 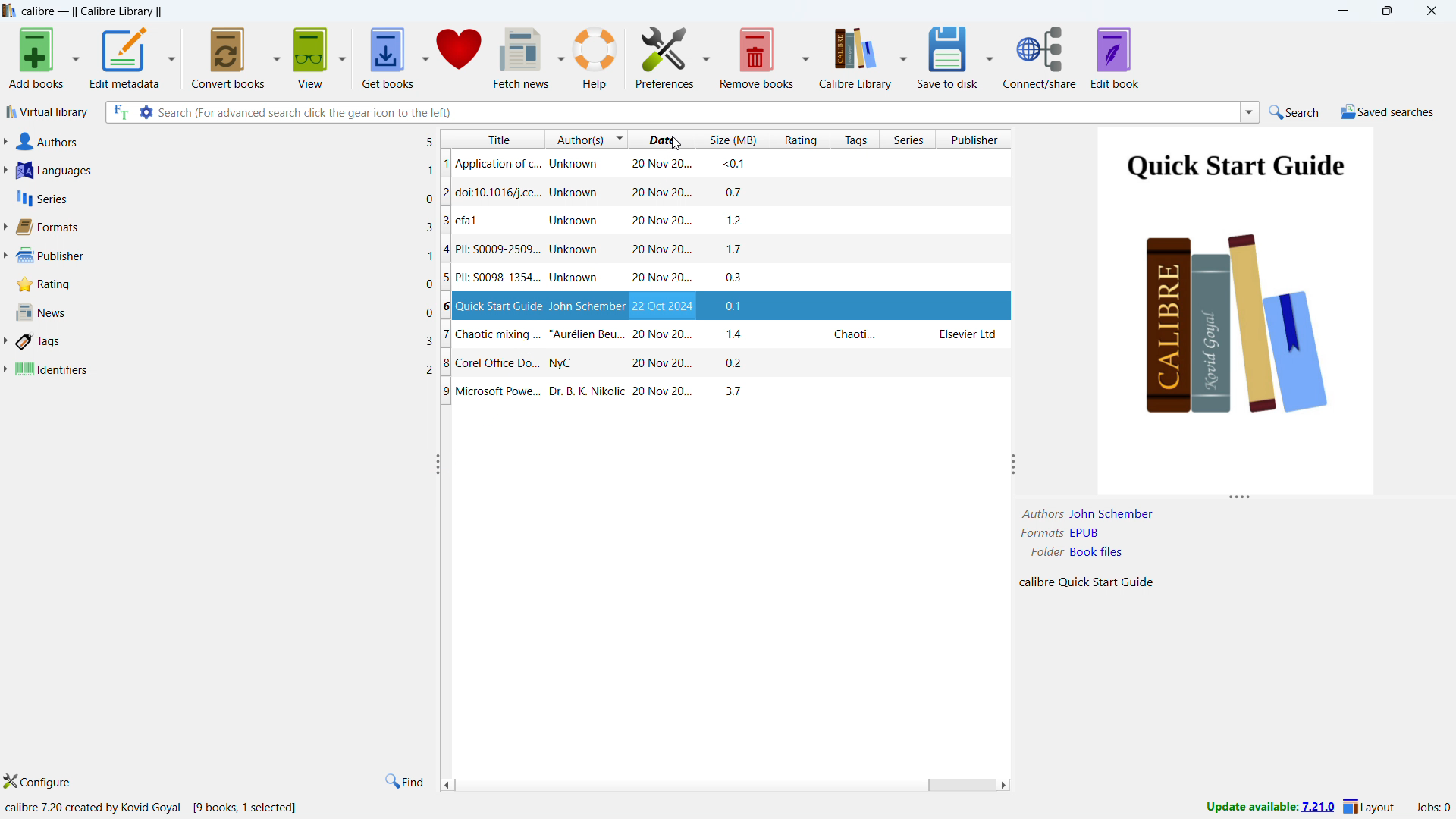 I want to click on get books, so click(x=388, y=56).